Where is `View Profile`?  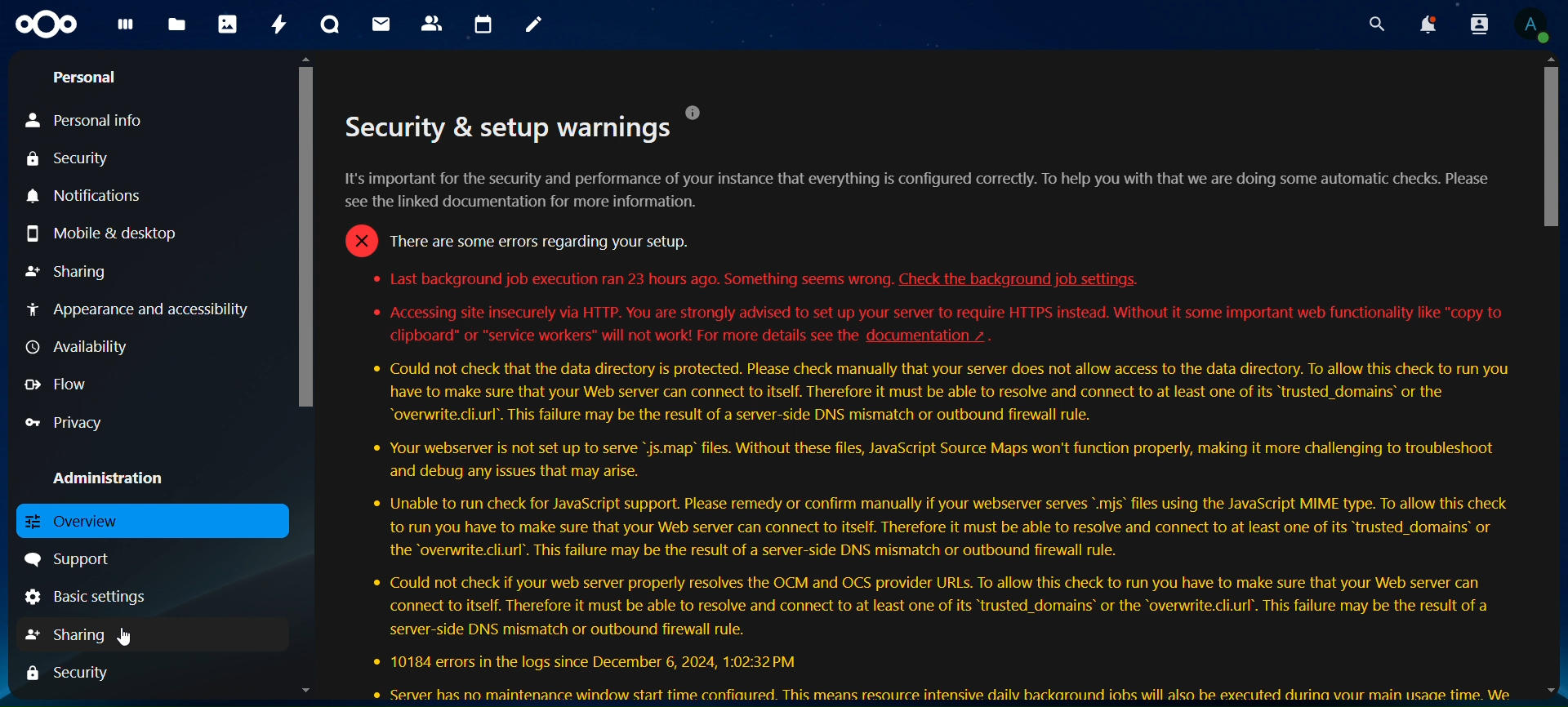
View Profile is located at coordinates (1532, 27).